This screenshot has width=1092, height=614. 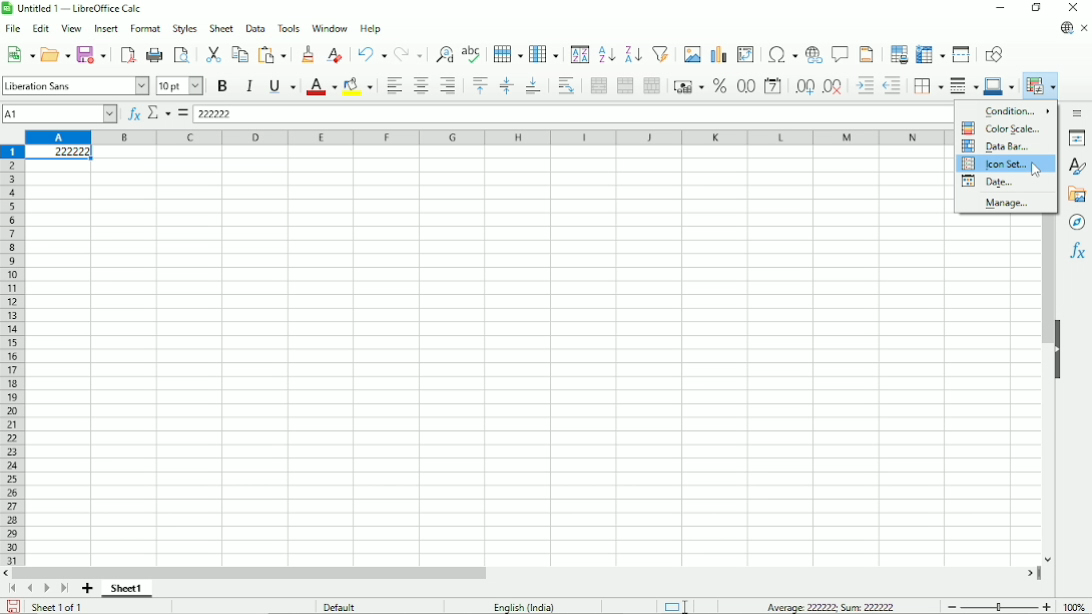 I want to click on Scroll to first page, so click(x=13, y=589).